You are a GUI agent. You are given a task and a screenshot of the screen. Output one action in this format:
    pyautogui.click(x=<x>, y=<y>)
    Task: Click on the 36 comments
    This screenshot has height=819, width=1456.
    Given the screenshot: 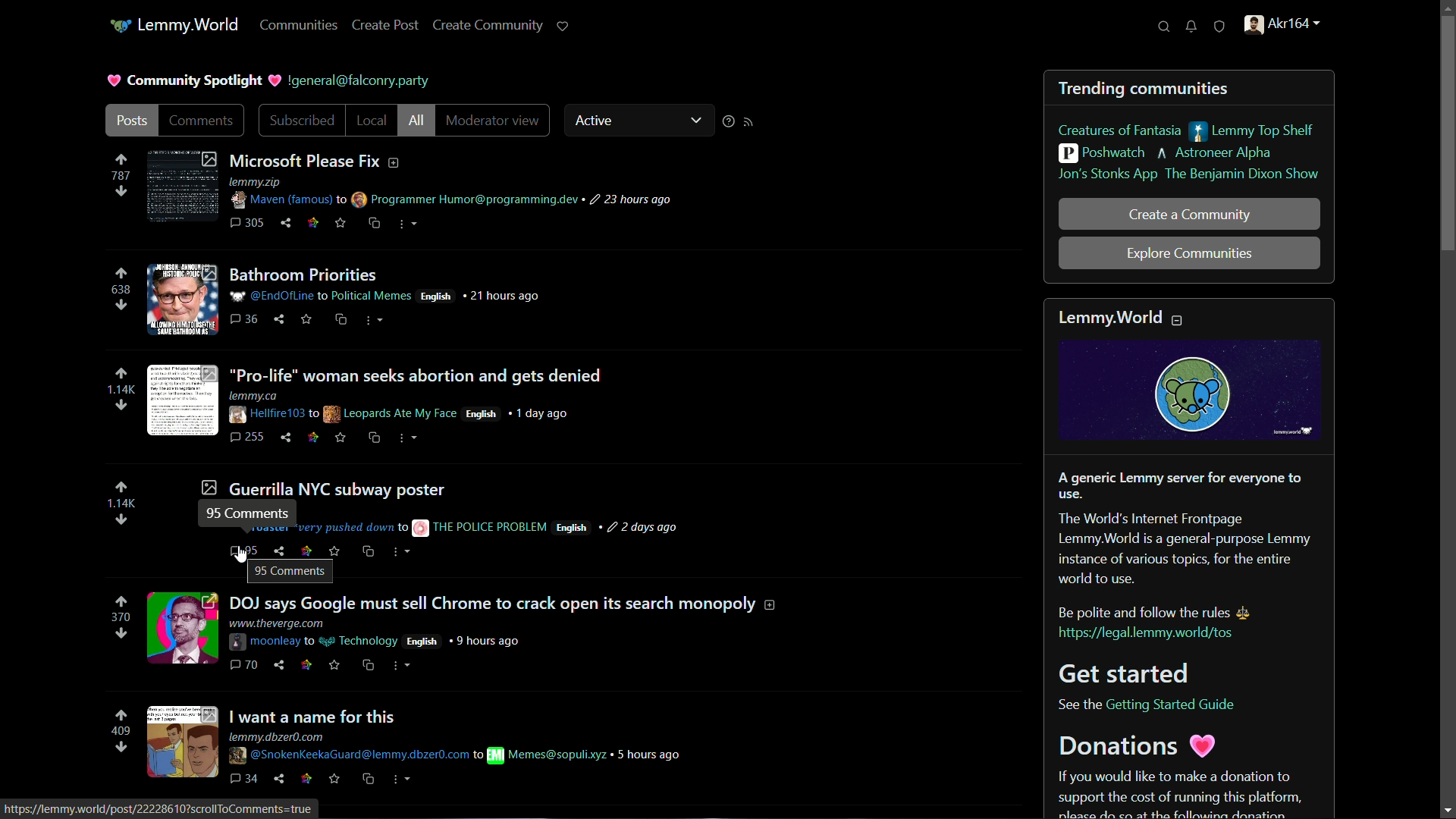 What is the action you would take?
    pyautogui.click(x=245, y=318)
    